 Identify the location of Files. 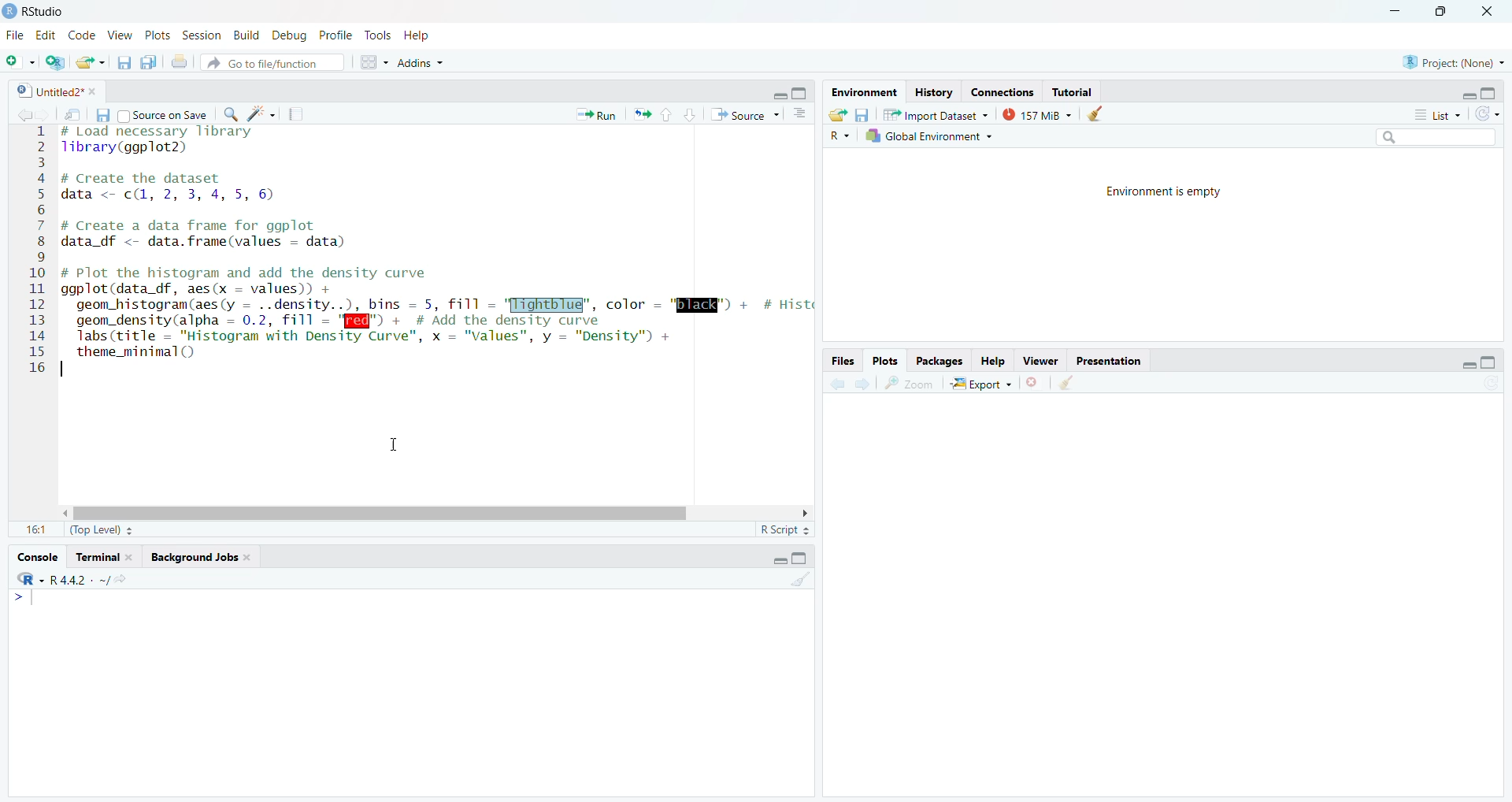
(843, 361).